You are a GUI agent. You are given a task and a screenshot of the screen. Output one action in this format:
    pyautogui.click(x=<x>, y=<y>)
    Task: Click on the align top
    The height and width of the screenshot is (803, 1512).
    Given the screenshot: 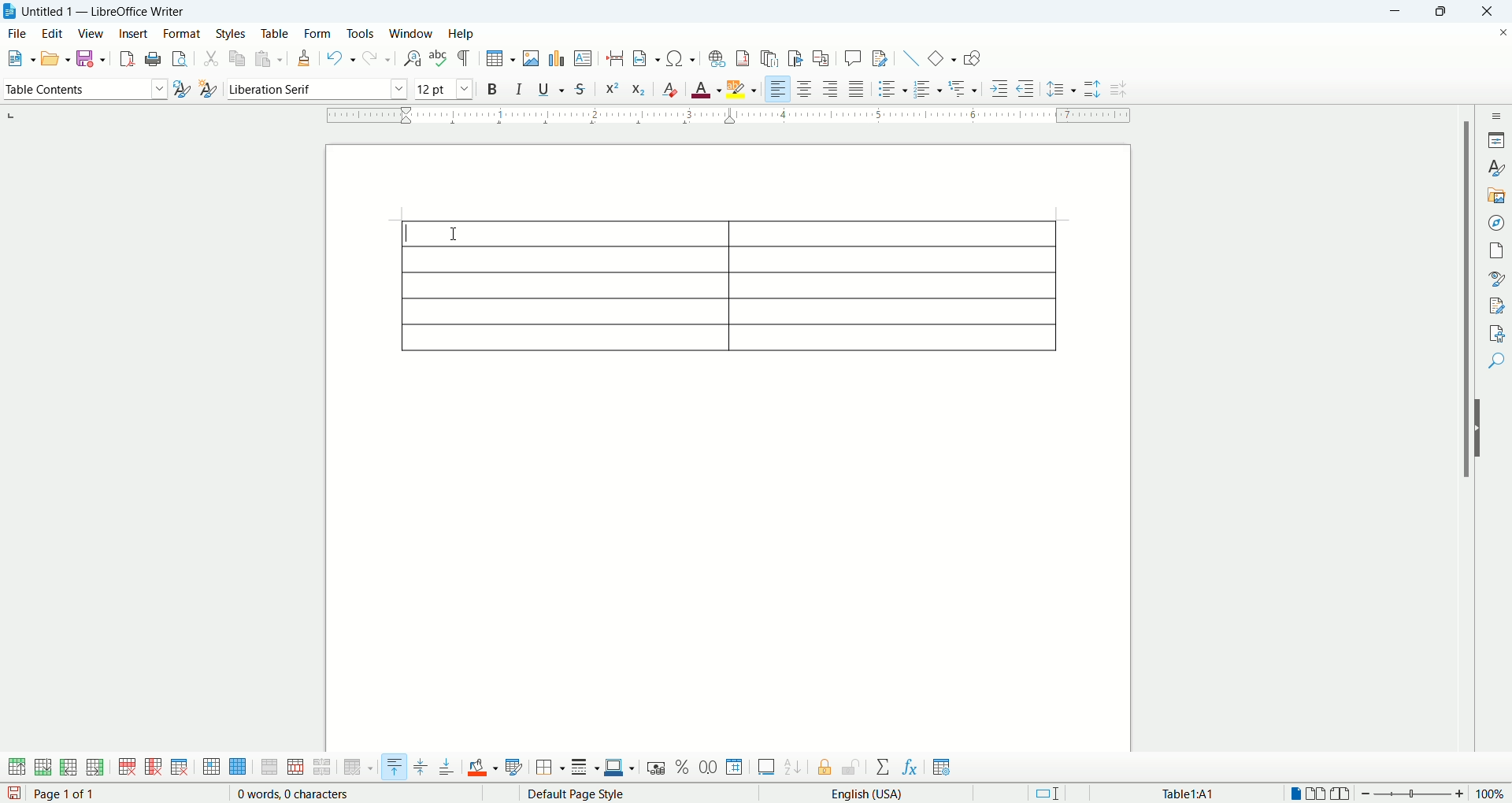 What is the action you would take?
    pyautogui.click(x=393, y=767)
    